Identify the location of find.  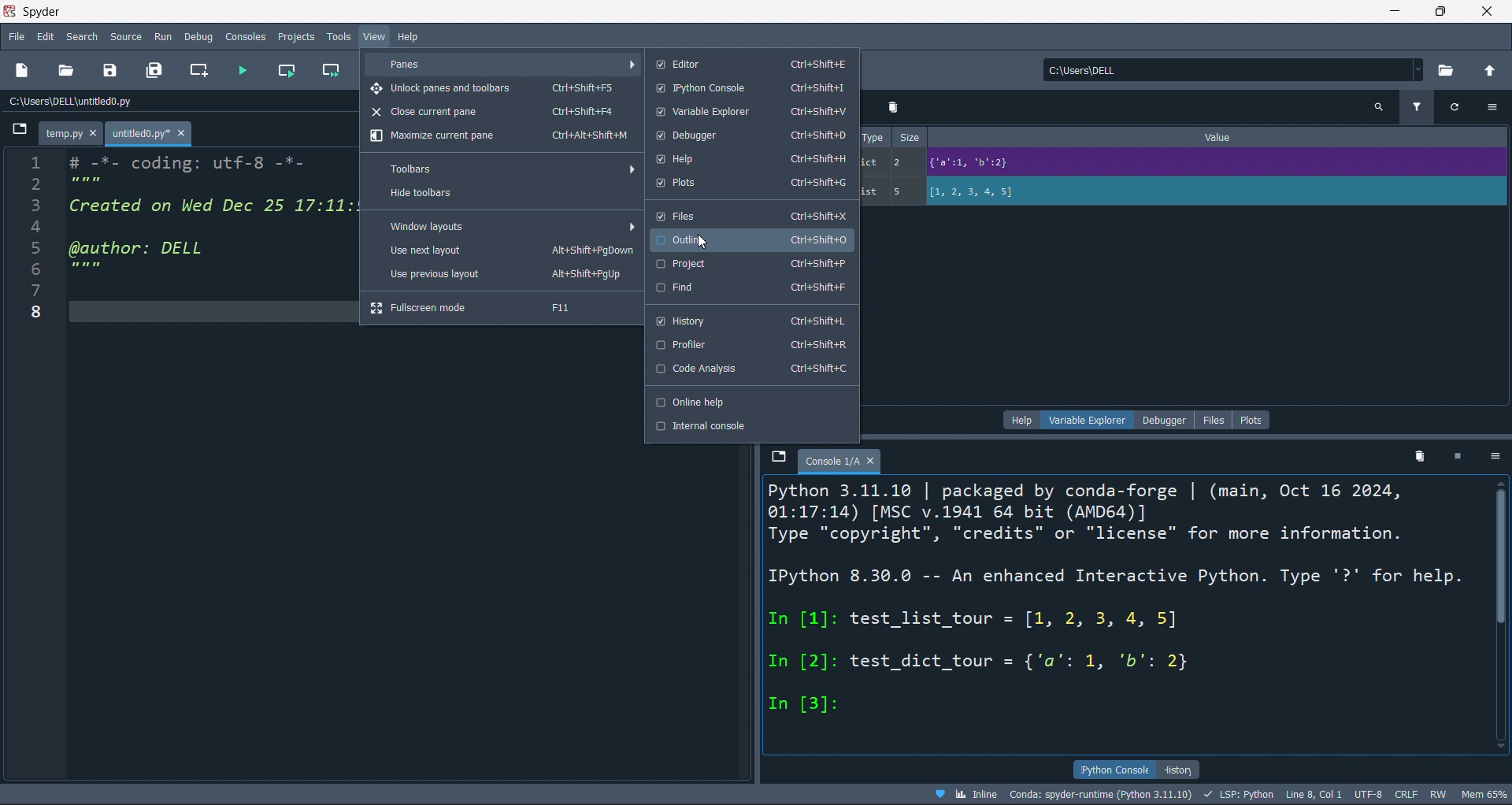
(750, 289).